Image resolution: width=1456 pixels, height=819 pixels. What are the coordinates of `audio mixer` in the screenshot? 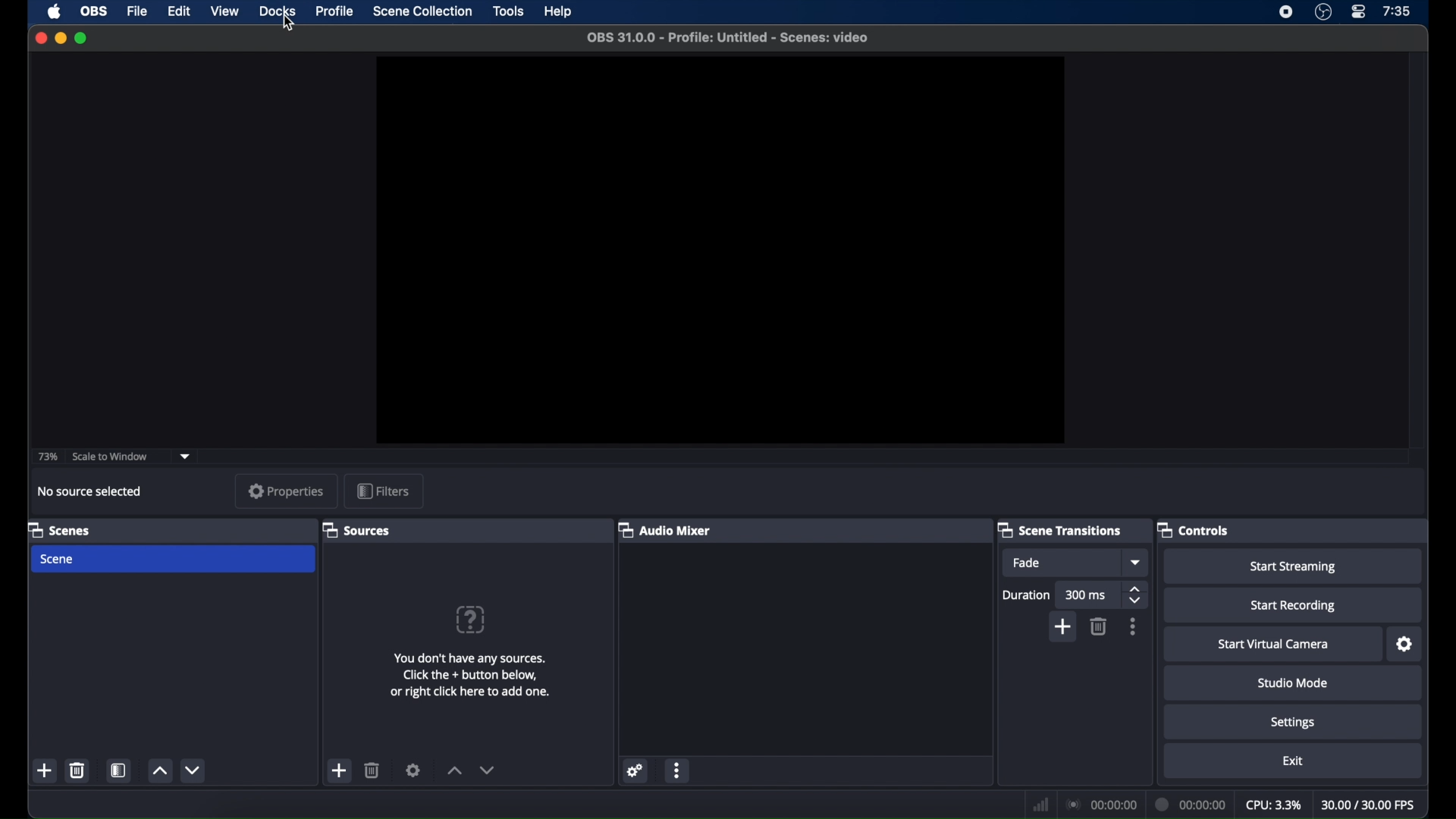 It's located at (664, 529).